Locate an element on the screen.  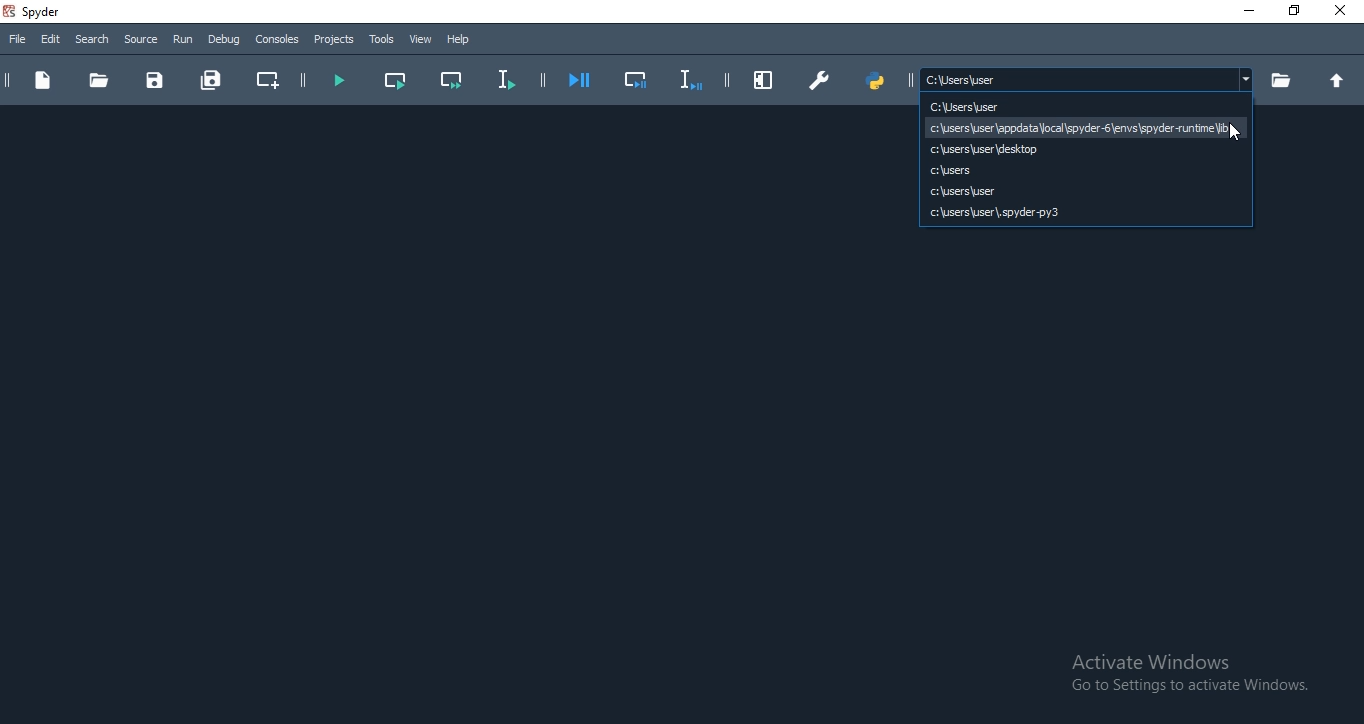
View is located at coordinates (422, 39).